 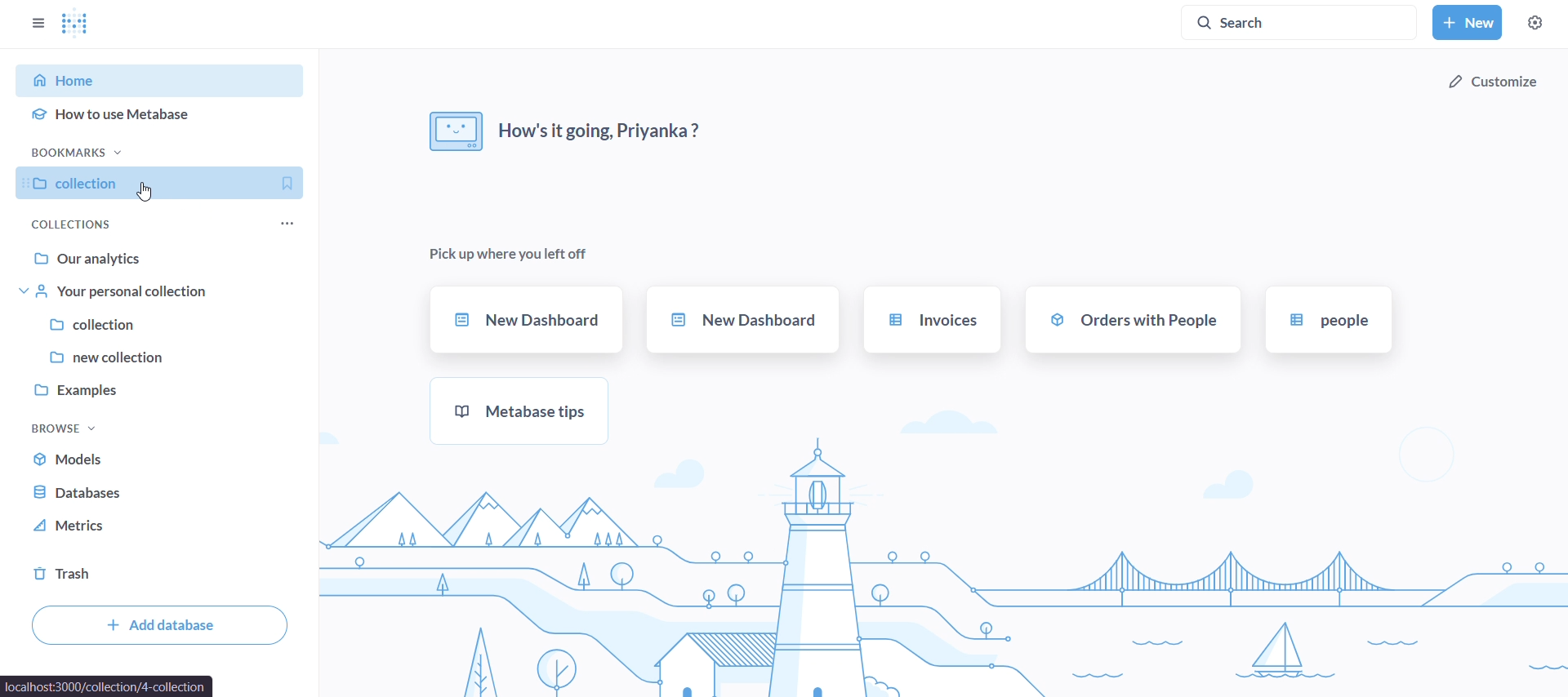 What do you see at coordinates (69, 224) in the screenshot?
I see `collections` at bounding box center [69, 224].